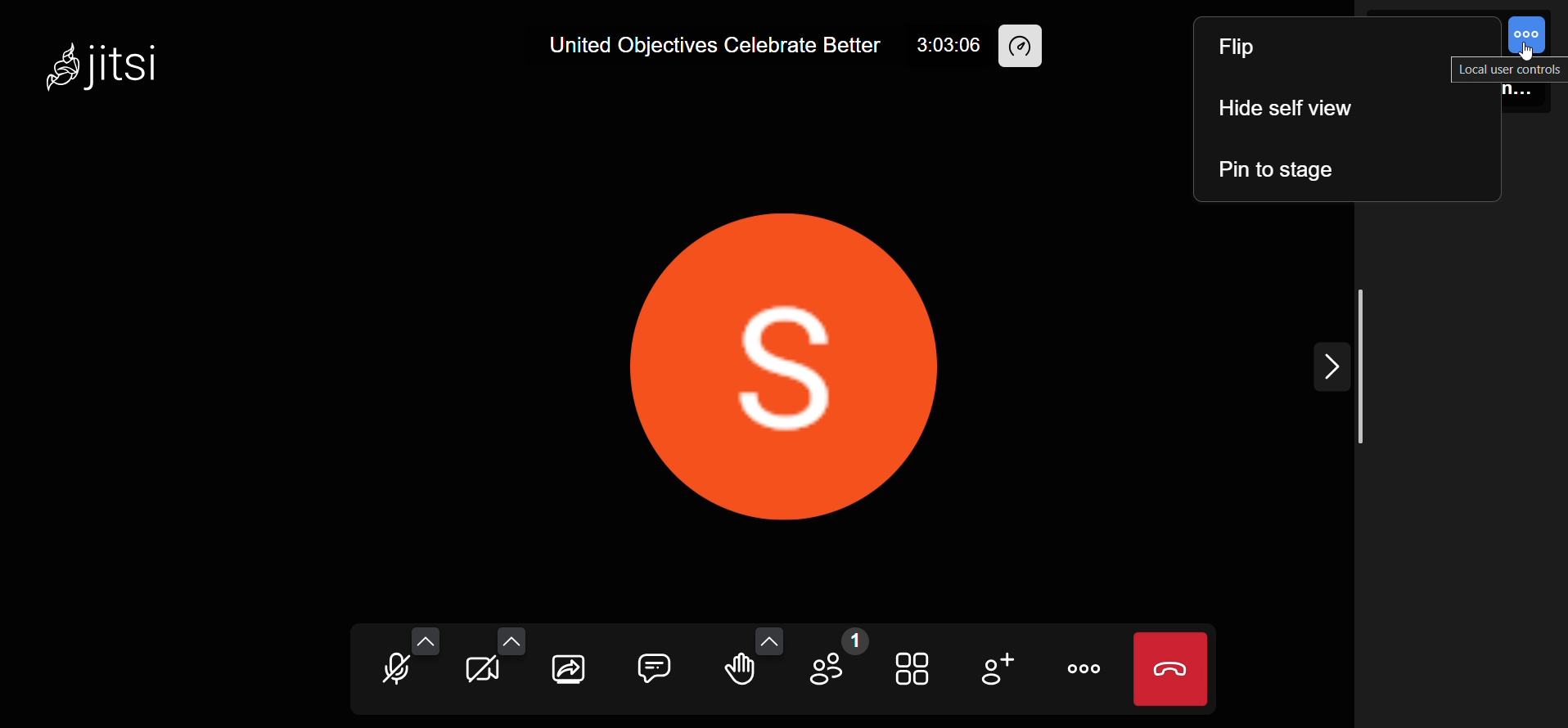 Image resolution: width=1568 pixels, height=728 pixels. I want to click on expand/collapse, so click(1328, 367).